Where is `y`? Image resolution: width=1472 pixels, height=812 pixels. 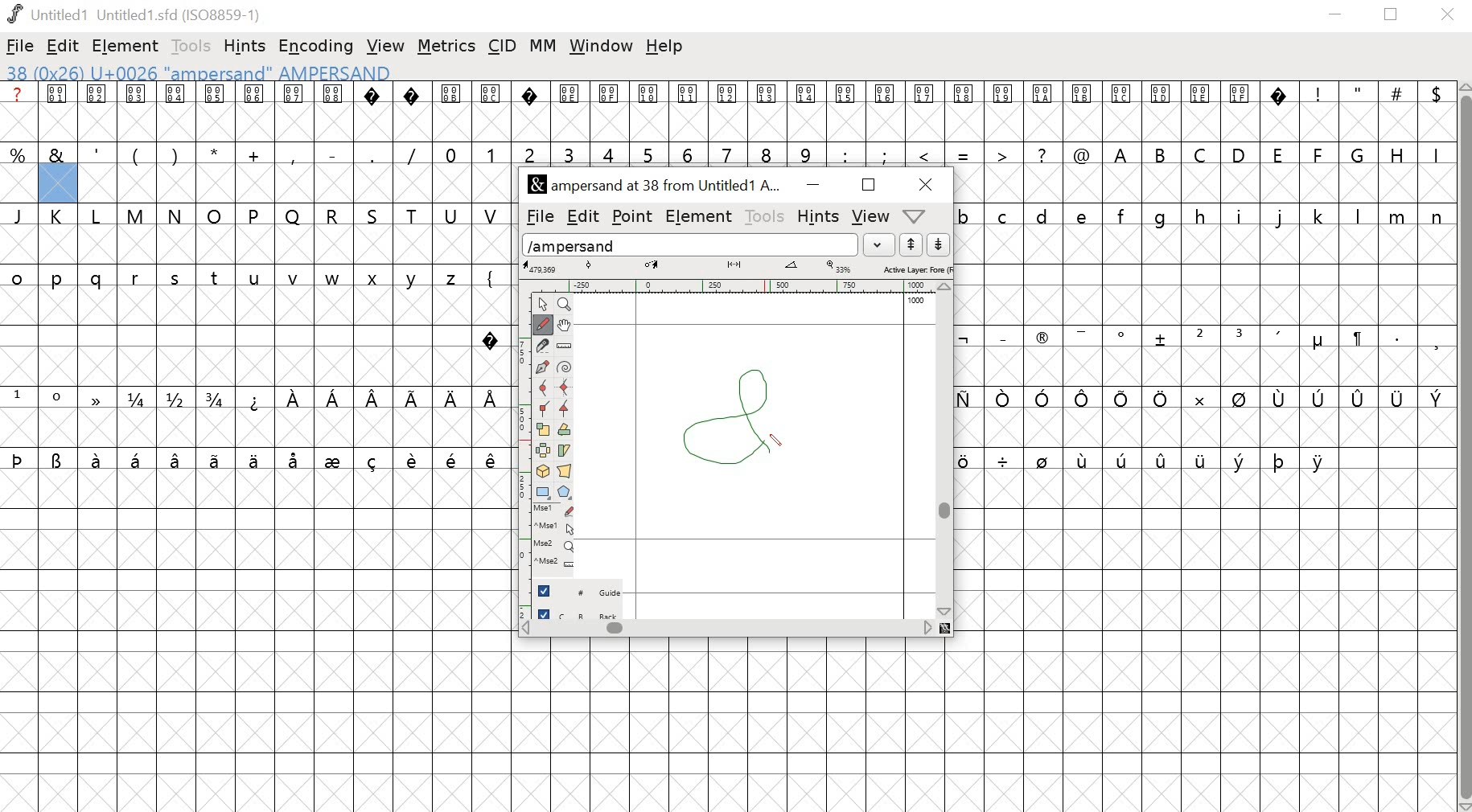 y is located at coordinates (415, 278).